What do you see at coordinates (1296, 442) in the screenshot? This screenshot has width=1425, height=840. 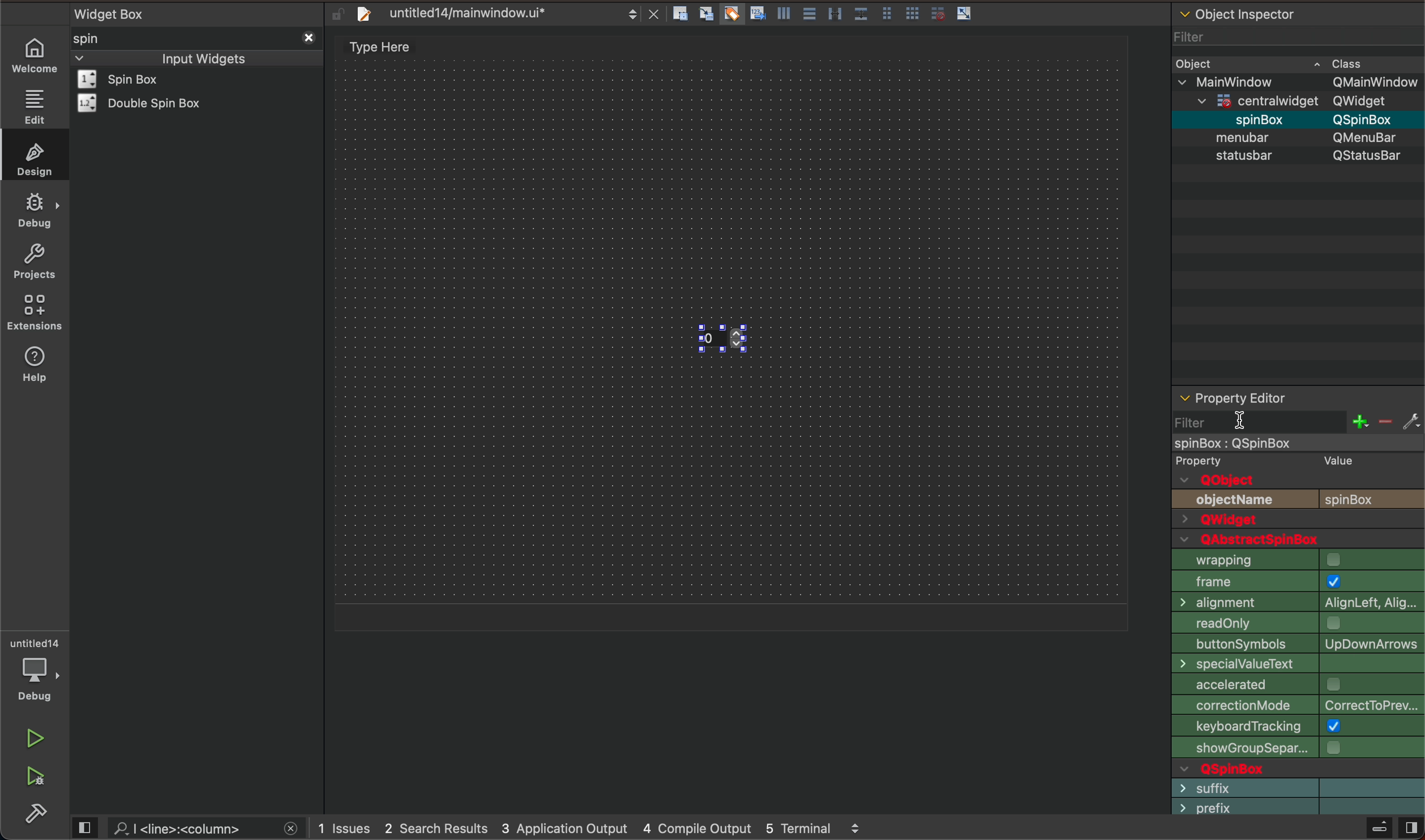 I see `object selected` at bounding box center [1296, 442].